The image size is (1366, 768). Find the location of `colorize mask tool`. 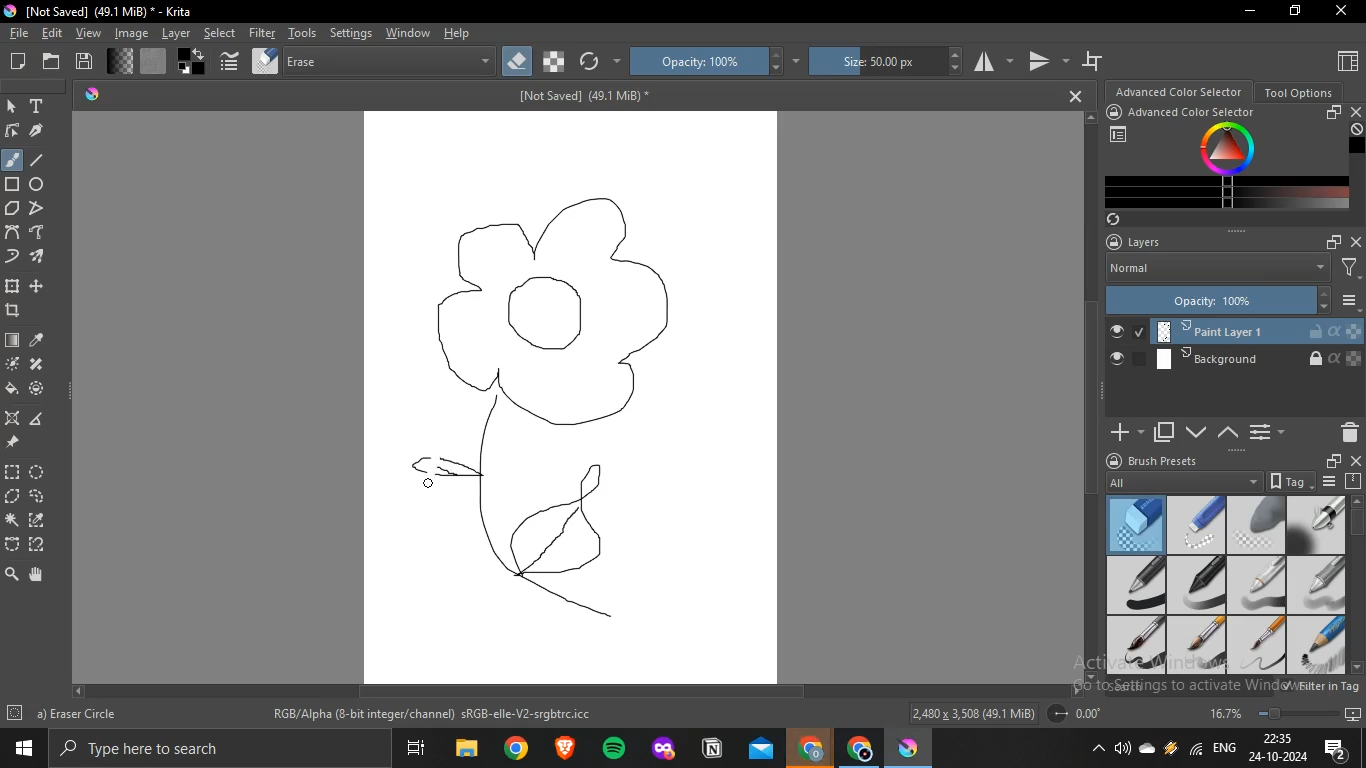

colorize mask tool is located at coordinates (10, 365).